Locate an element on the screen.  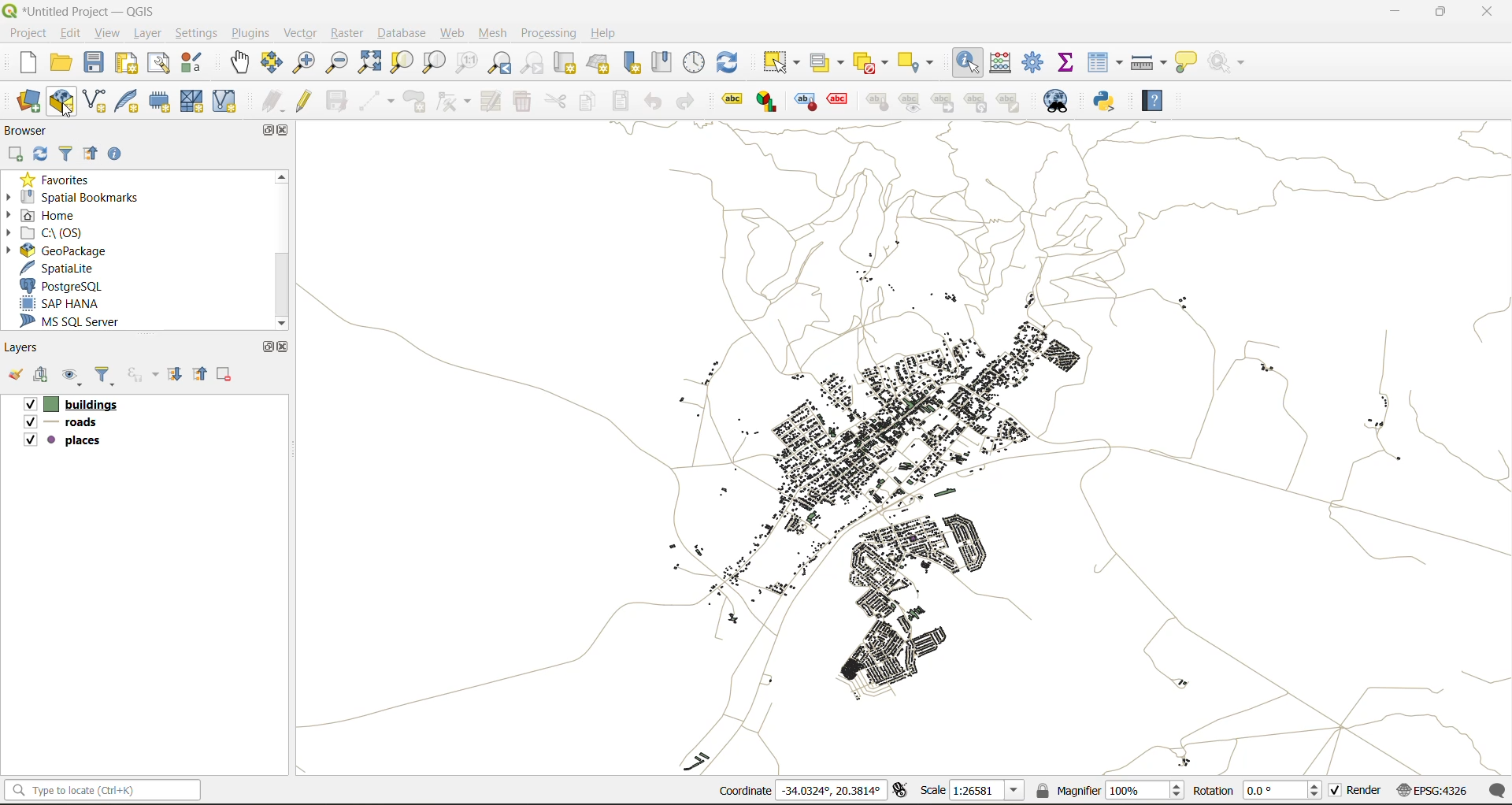
settings is located at coordinates (197, 33).